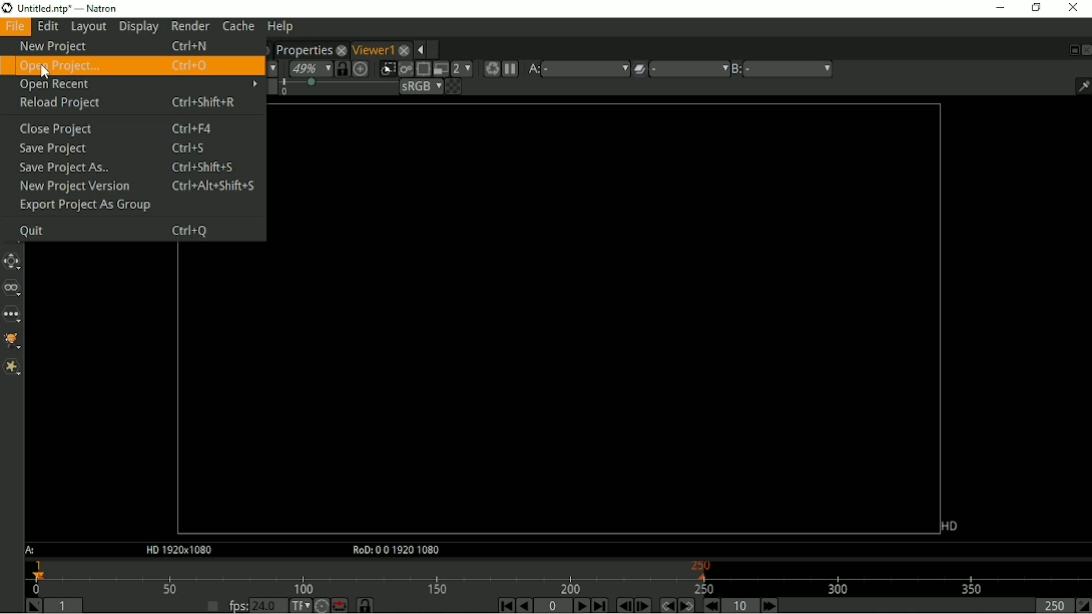 The image size is (1092, 614). I want to click on title, so click(89, 8).